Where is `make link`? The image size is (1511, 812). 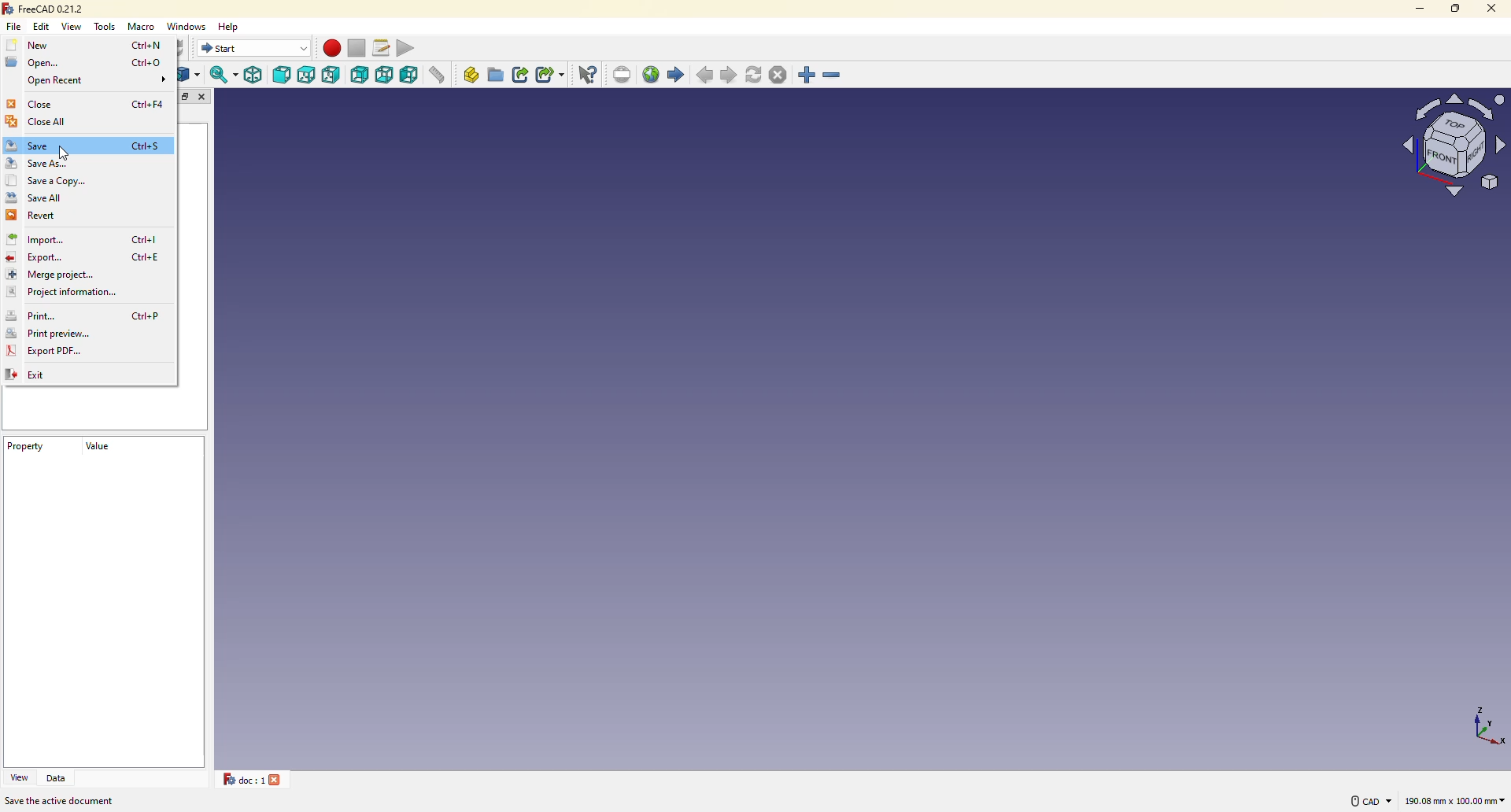 make link is located at coordinates (522, 75).